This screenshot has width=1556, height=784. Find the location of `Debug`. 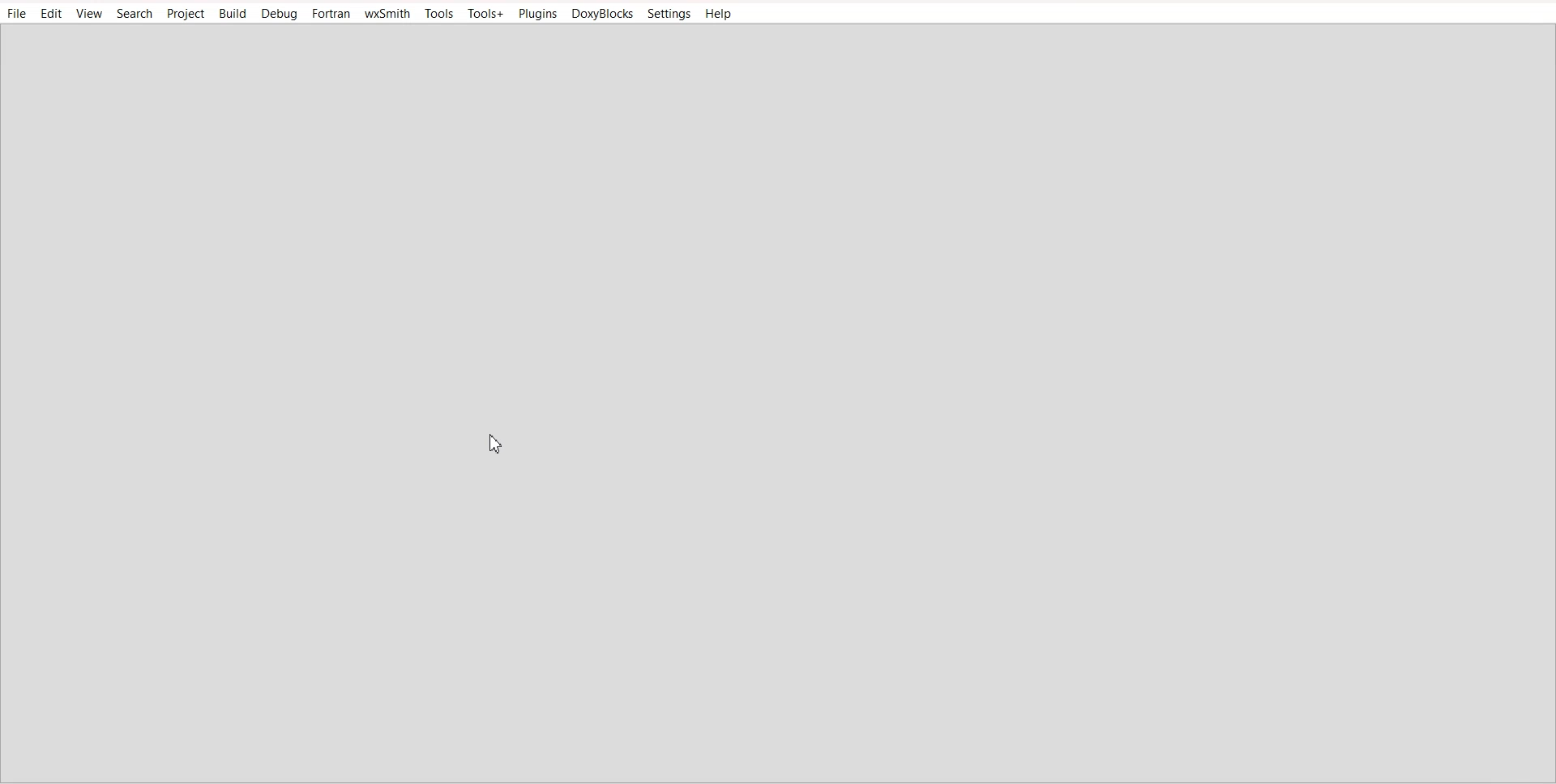

Debug is located at coordinates (279, 14).